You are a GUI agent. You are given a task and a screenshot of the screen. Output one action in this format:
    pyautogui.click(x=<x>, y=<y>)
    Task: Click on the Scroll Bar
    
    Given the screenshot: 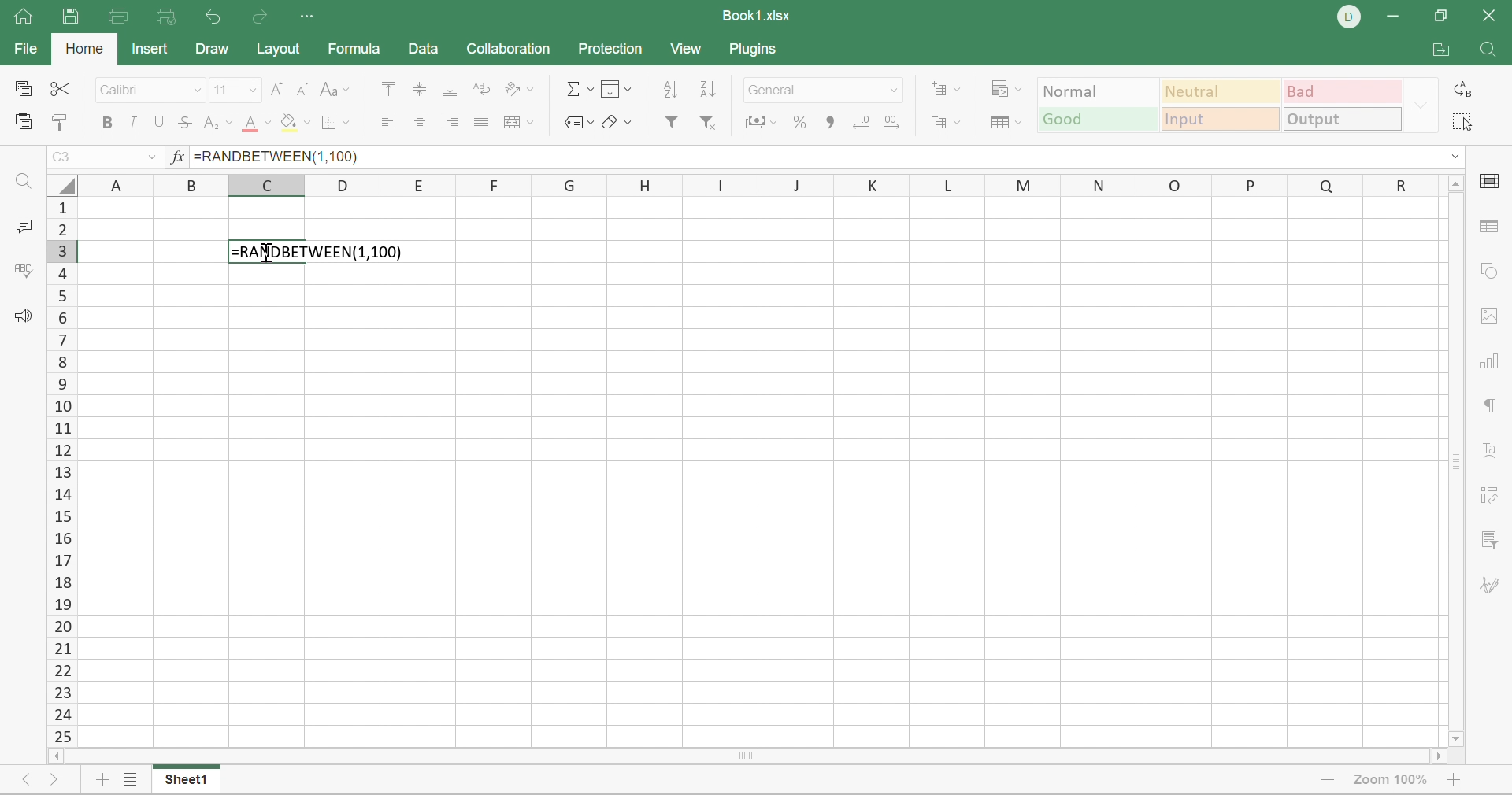 What is the action you would take?
    pyautogui.click(x=59, y=470)
    